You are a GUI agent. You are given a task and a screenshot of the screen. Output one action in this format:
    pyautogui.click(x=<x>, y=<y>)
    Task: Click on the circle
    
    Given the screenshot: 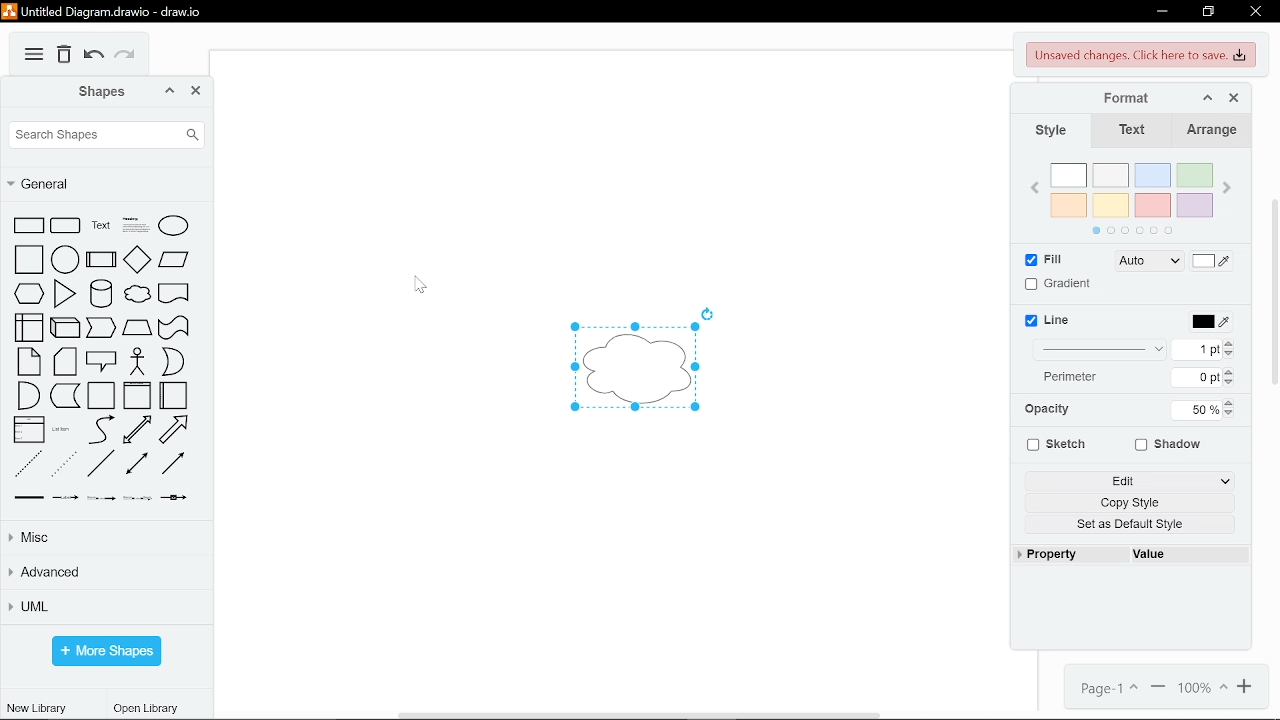 What is the action you would take?
    pyautogui.click(x=65, y=260)
    